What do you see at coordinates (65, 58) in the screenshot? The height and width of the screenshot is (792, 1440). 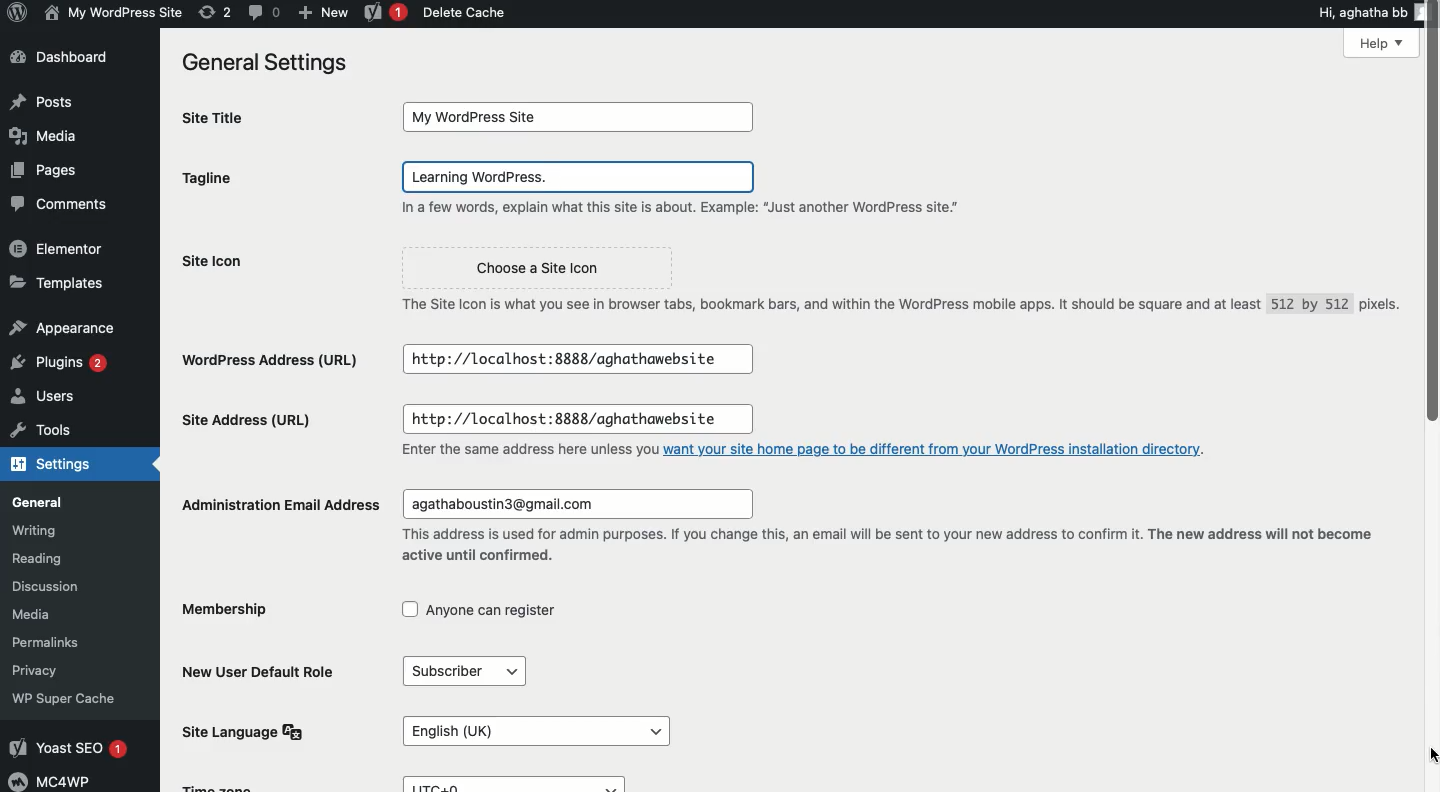 I see `Dashboard` at bounding box center [65, 58].